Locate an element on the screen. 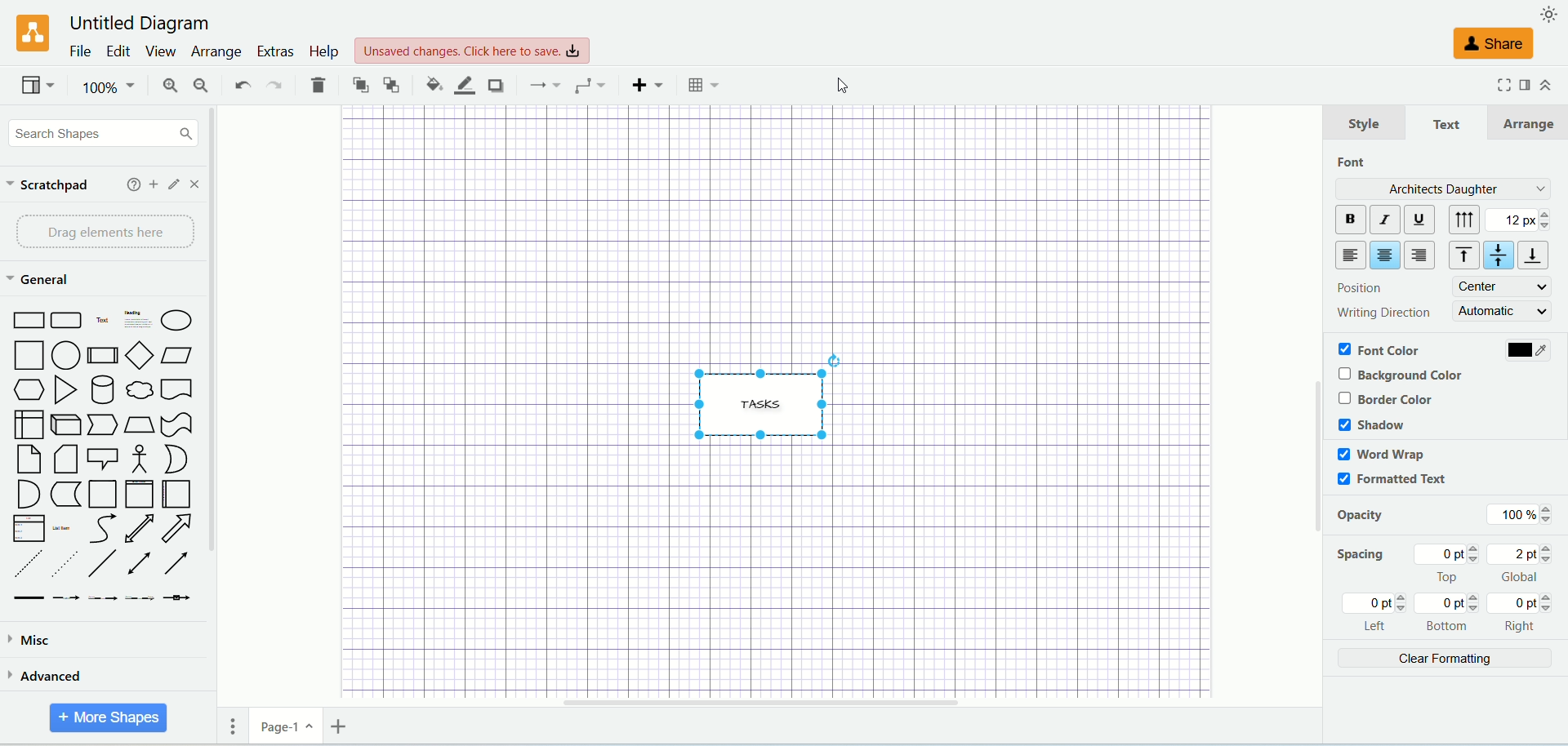 The width and height of the screenshot is (1568, 746). Card is located at coordinates (65, 460).